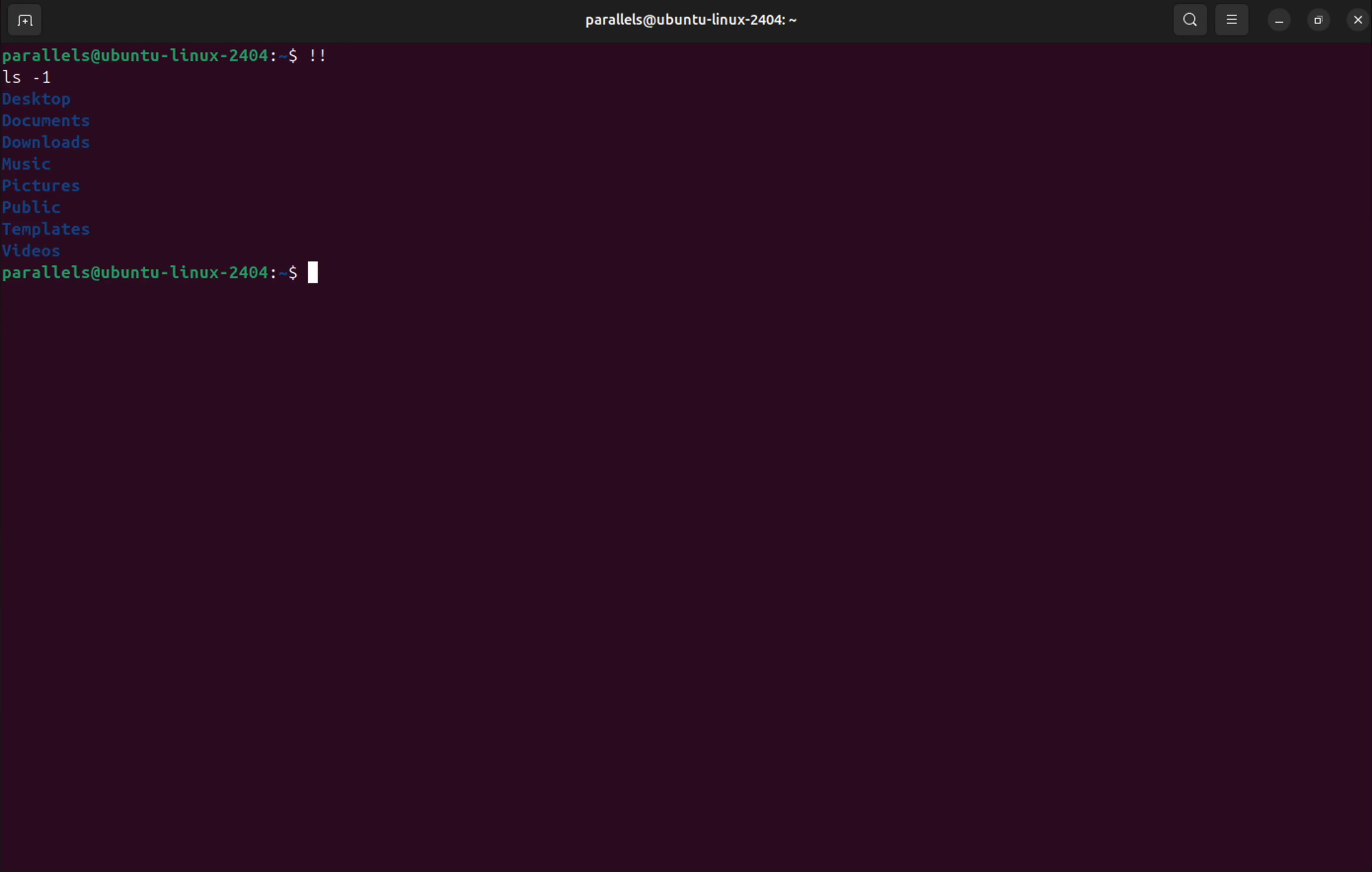  What do you see at coordinates (1280, 21) in the screenshot?
I see `minimize` at bounding box center [1280, 21].